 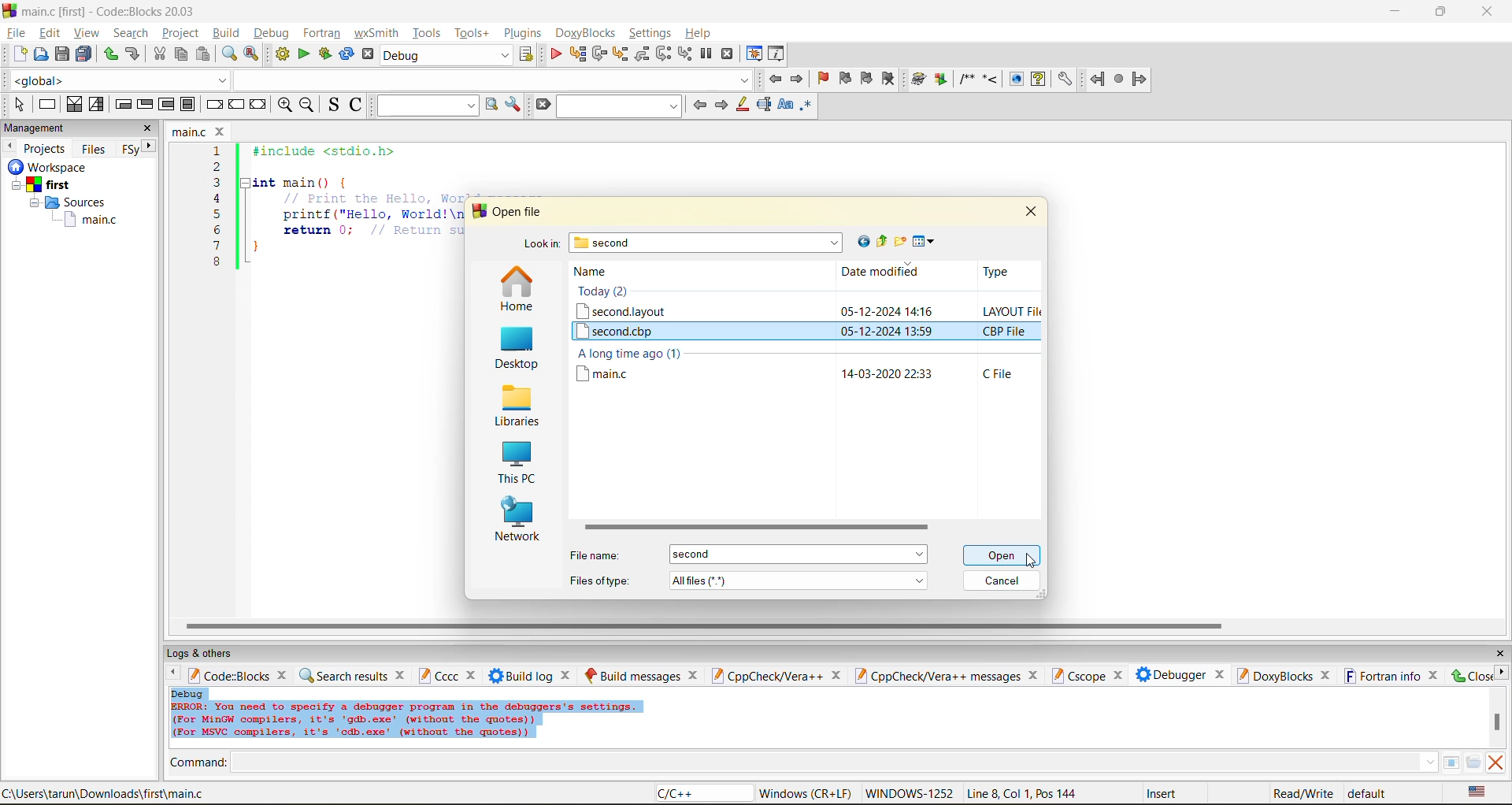 I want to click on edit, so click(x=52, y=33).